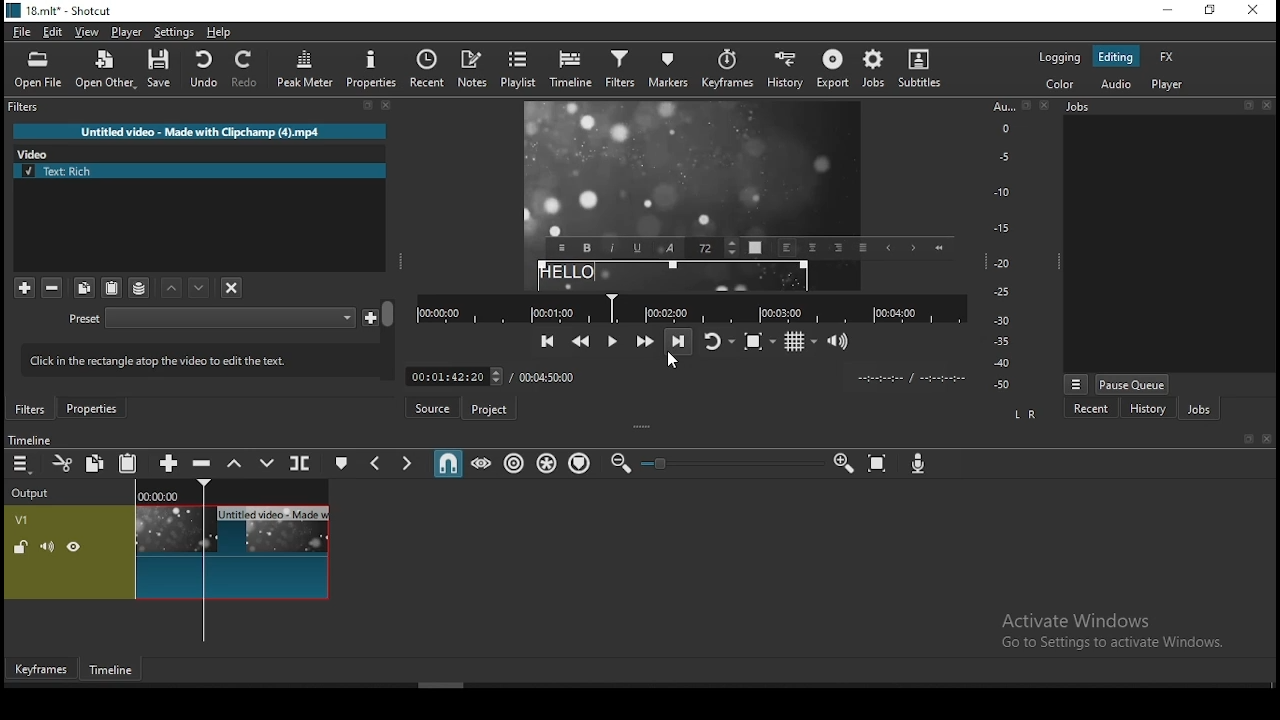  What do you see at coordinates (839, 340) in the screenshot?
I see `show volume control` at bounding box center [839, 340].